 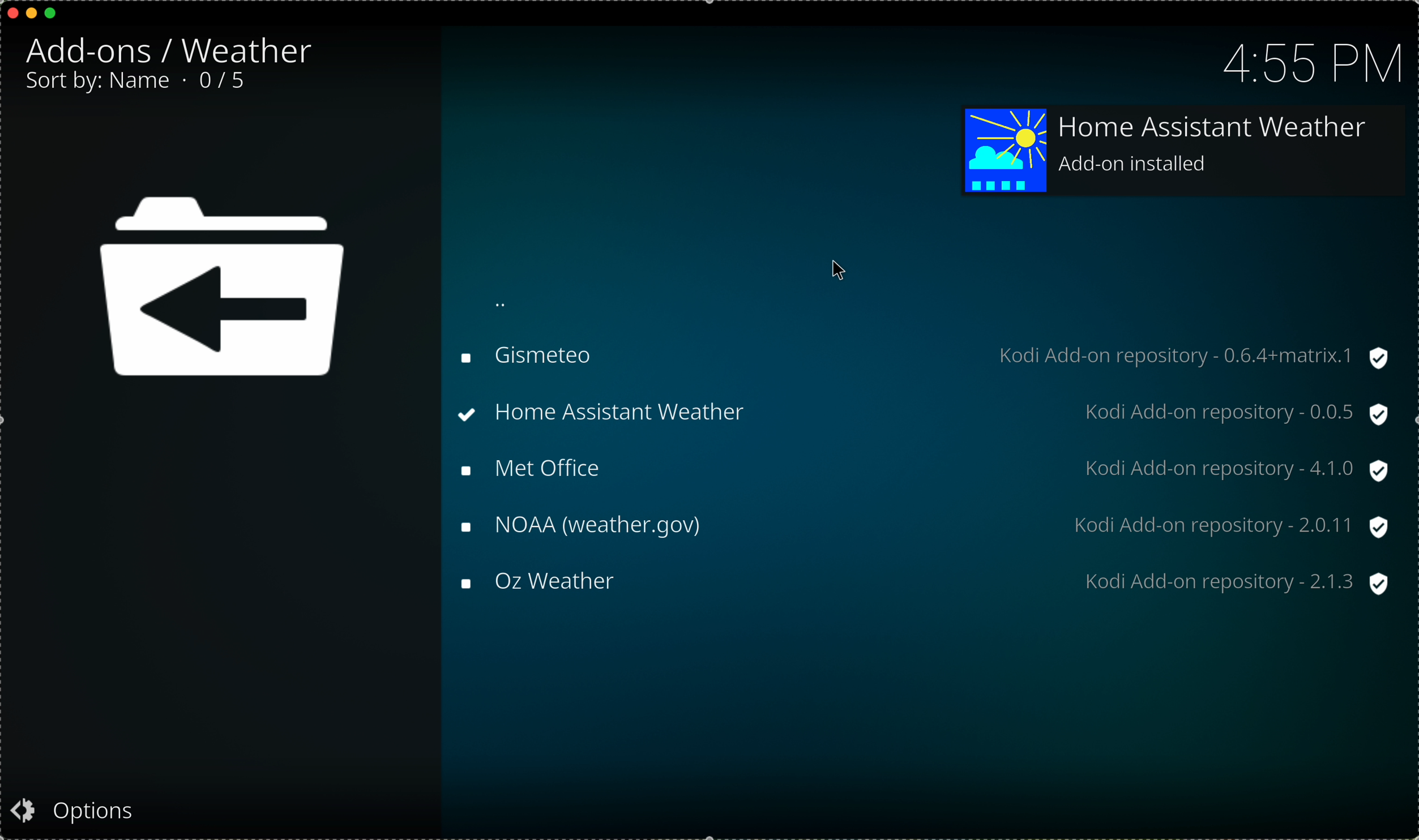 What do you see at coordinates (224, 282) in the screenshot?
I see `icon back` at bounding box center [224, 282].